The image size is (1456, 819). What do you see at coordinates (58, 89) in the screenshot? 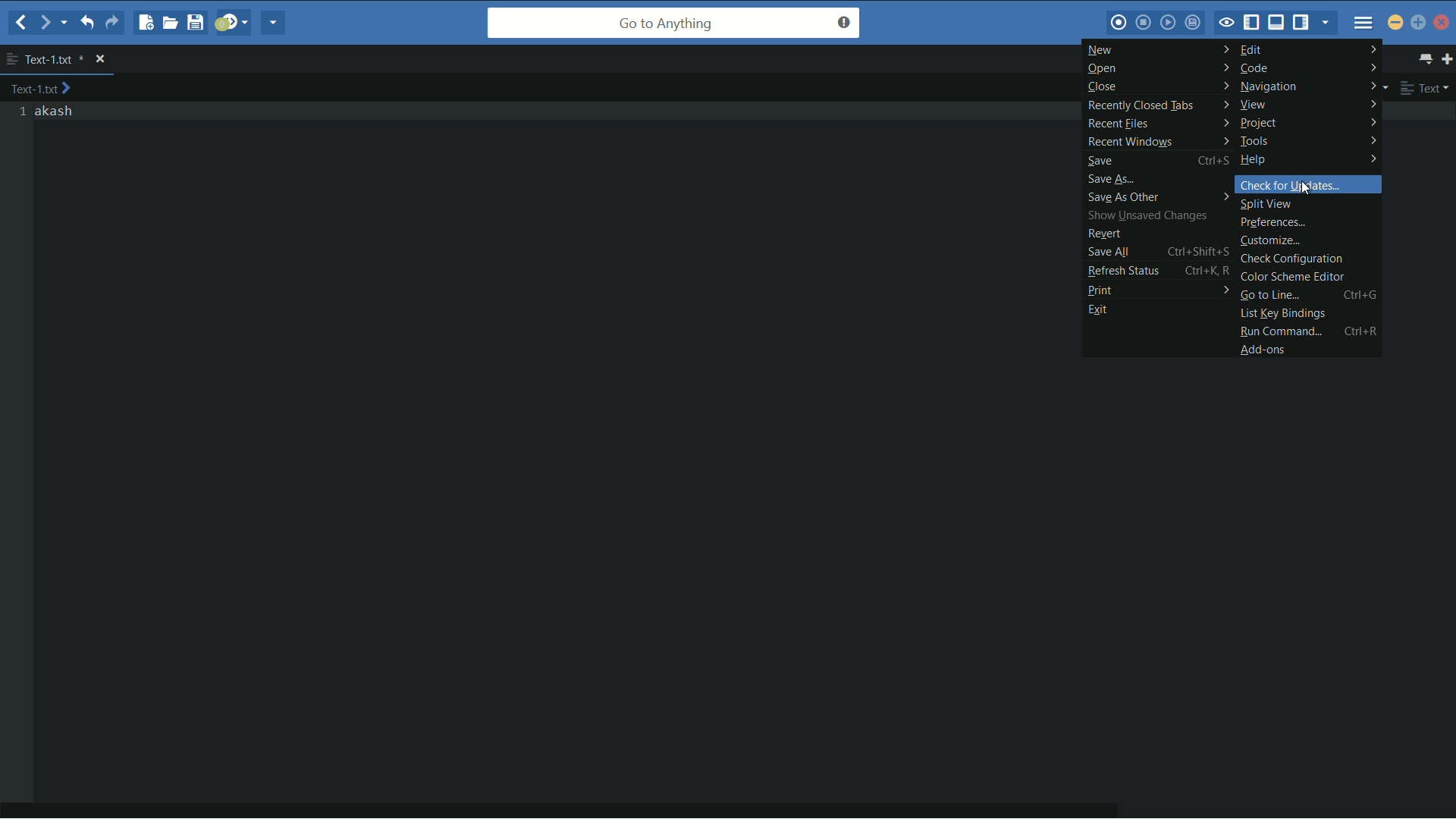
I see `text` at bounding box center [58, 89].